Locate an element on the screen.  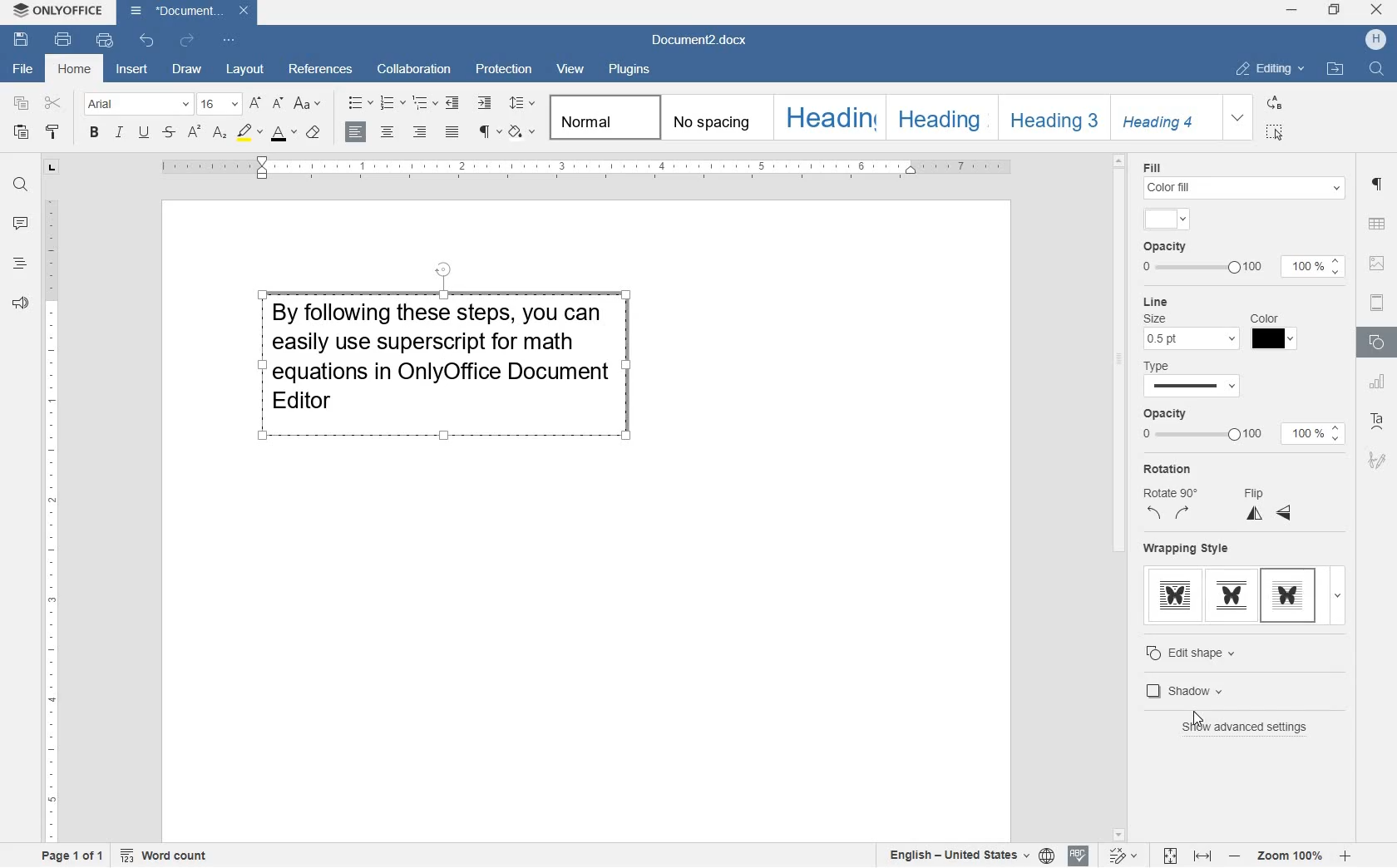
top & bottom is located at coordinates (1232, 595).